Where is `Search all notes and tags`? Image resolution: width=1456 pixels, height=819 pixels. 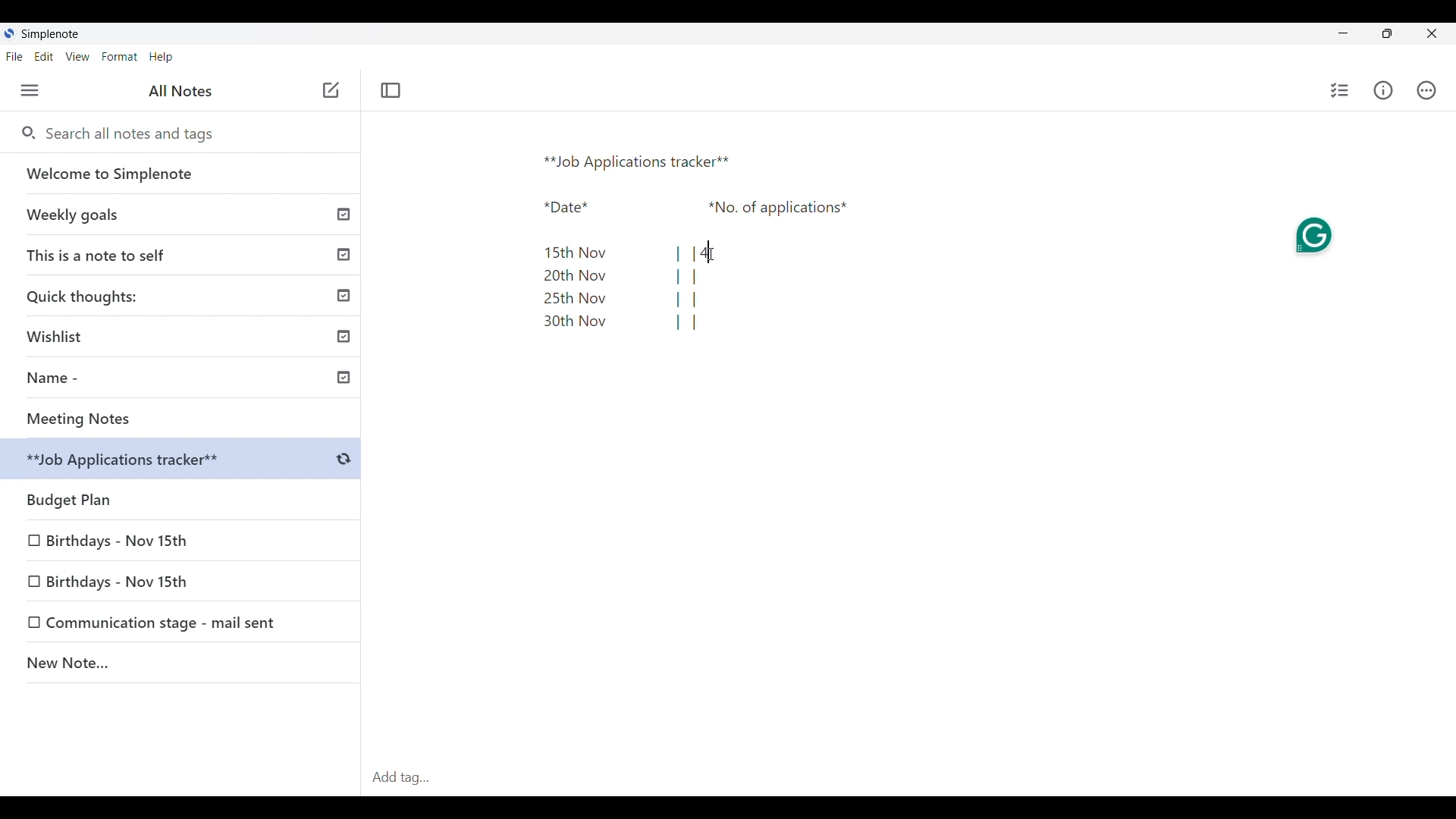
Search all notes and tags is located at coordinates (135, 133).